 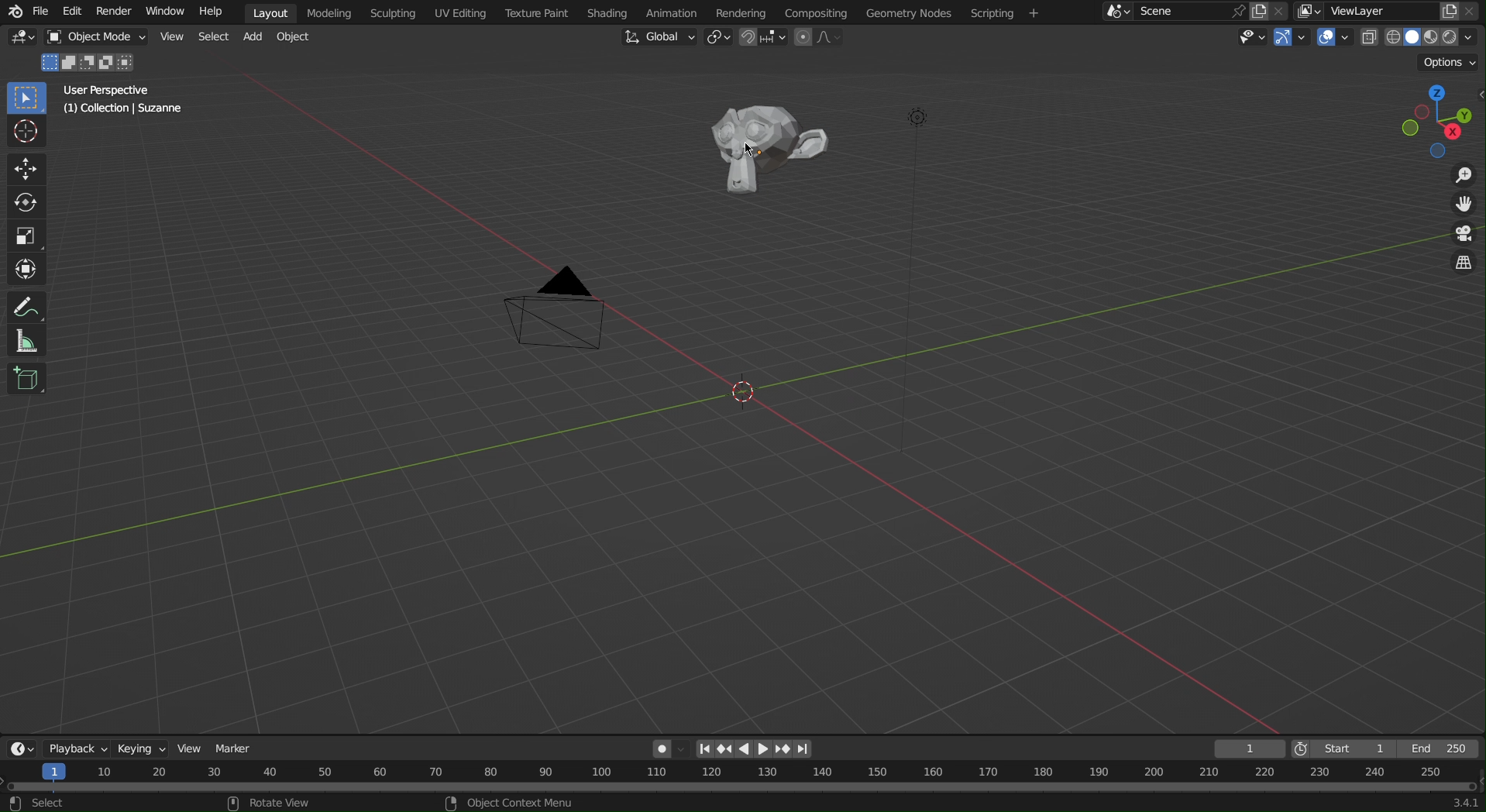 I want to click on View, so click(x=175, y=40).